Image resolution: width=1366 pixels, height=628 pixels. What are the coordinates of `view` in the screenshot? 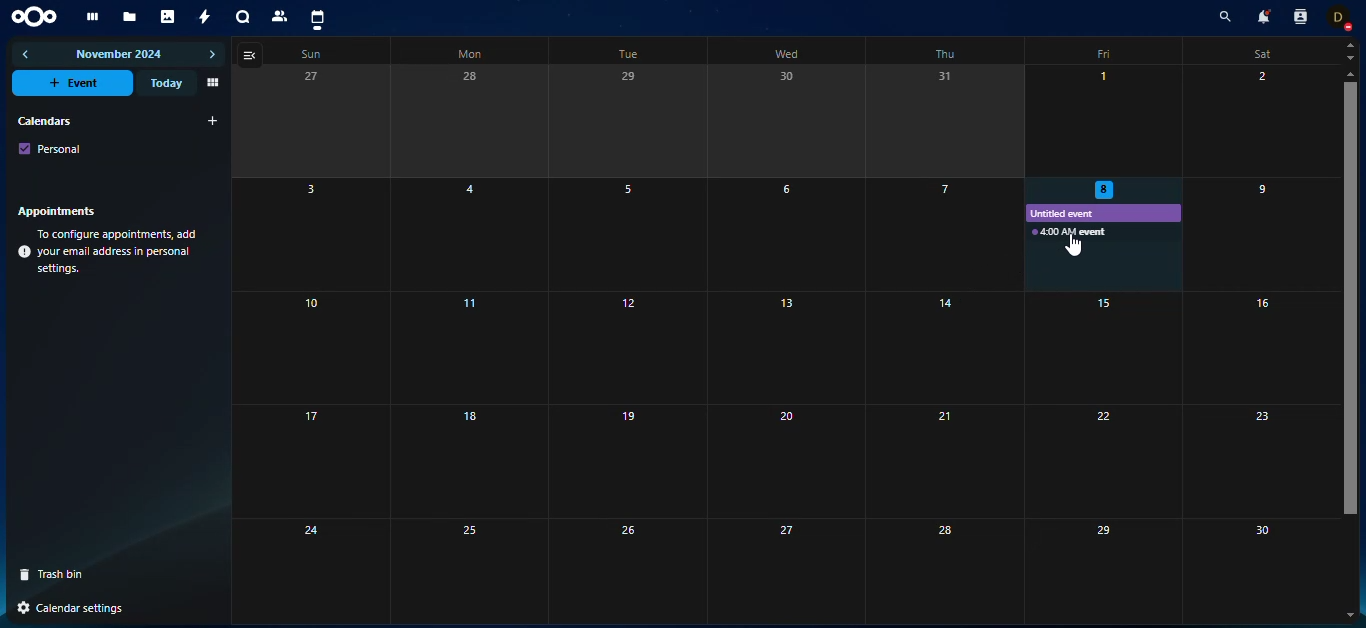 It's located at (252, 55).